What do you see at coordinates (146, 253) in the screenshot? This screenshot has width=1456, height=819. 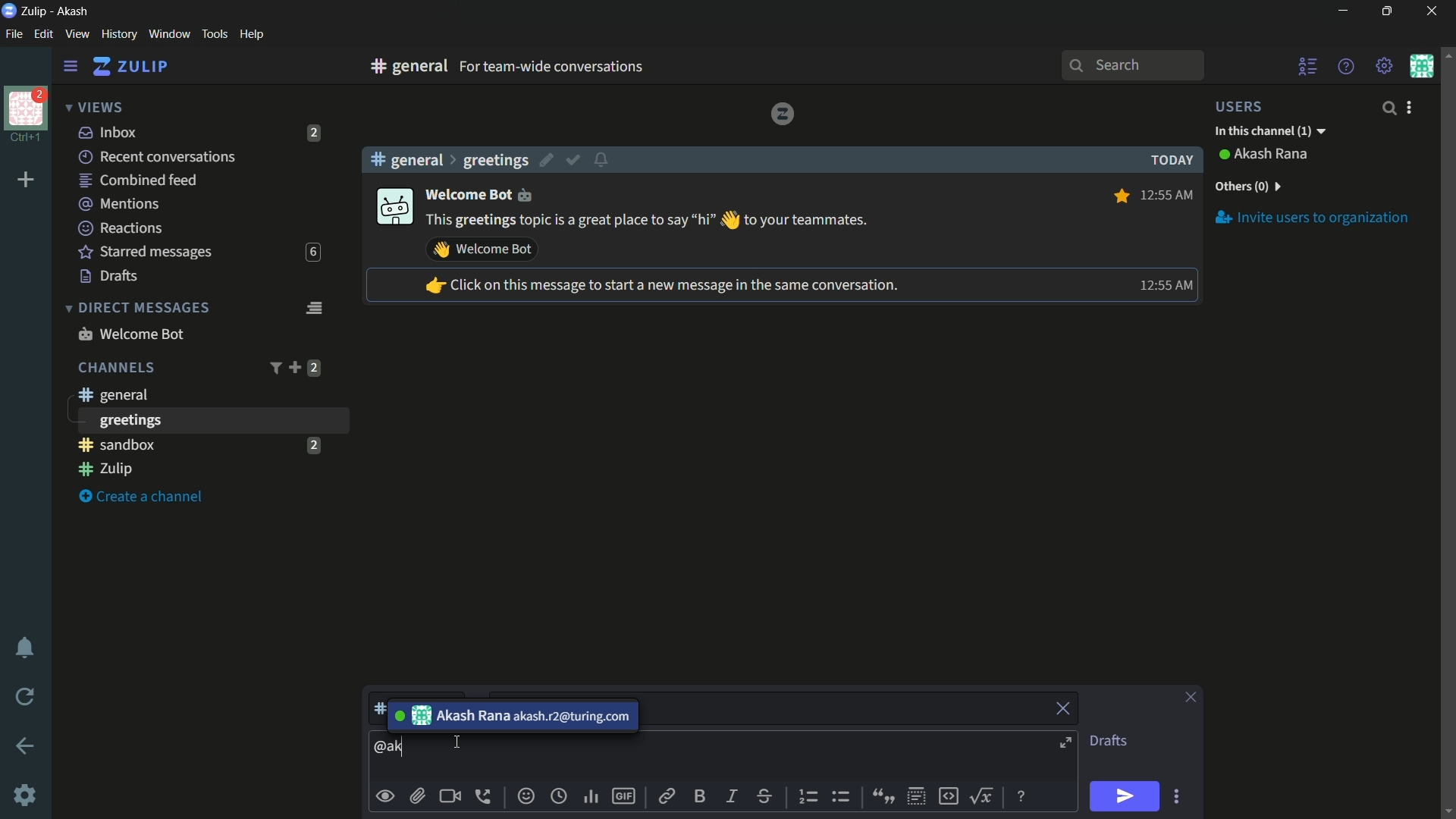 I see `starred messages` at bounding box center [146, 253].